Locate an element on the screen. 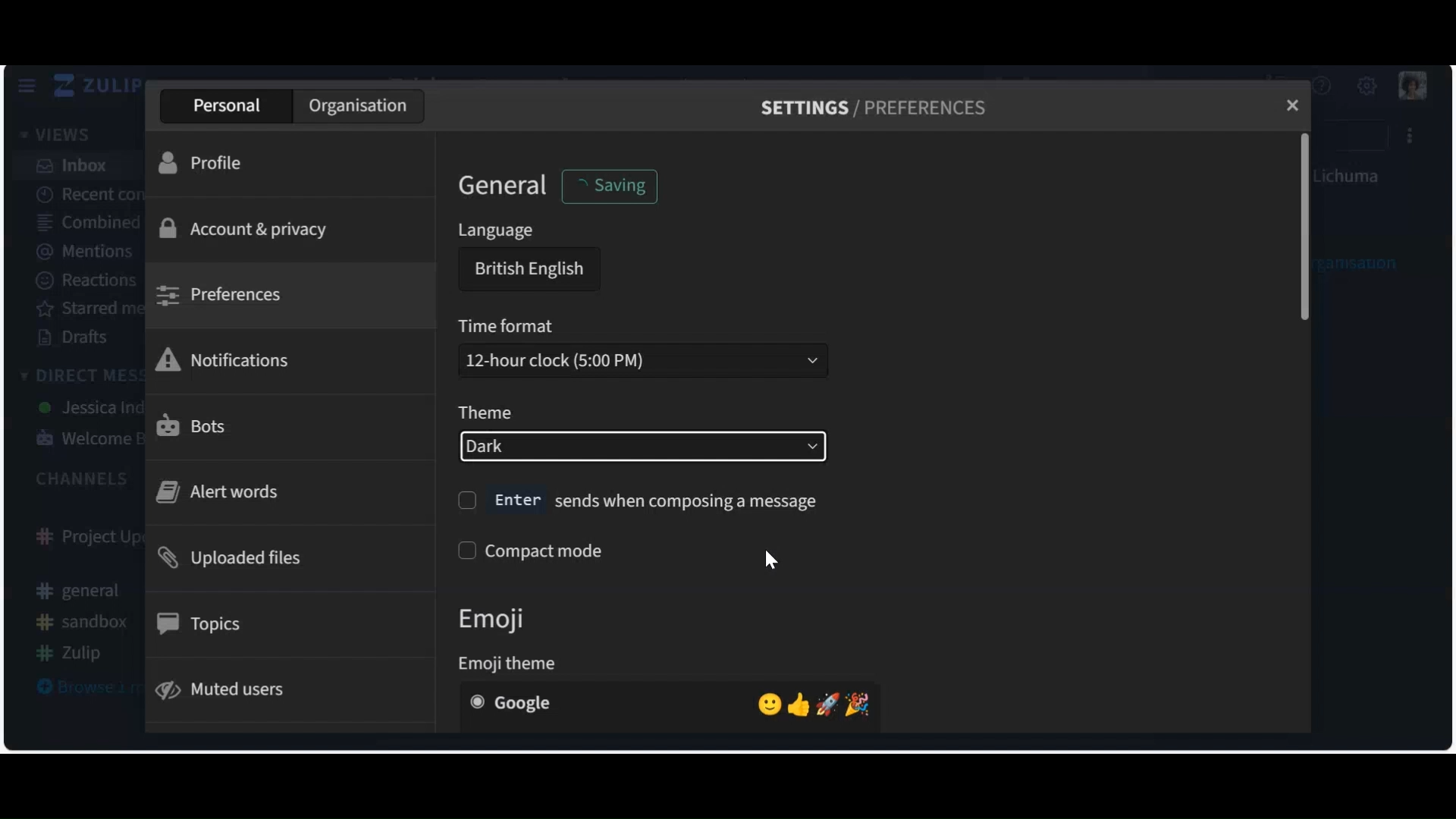 This screenshot has height=819, width=1456. Theme is located at coordinates (485, 414).